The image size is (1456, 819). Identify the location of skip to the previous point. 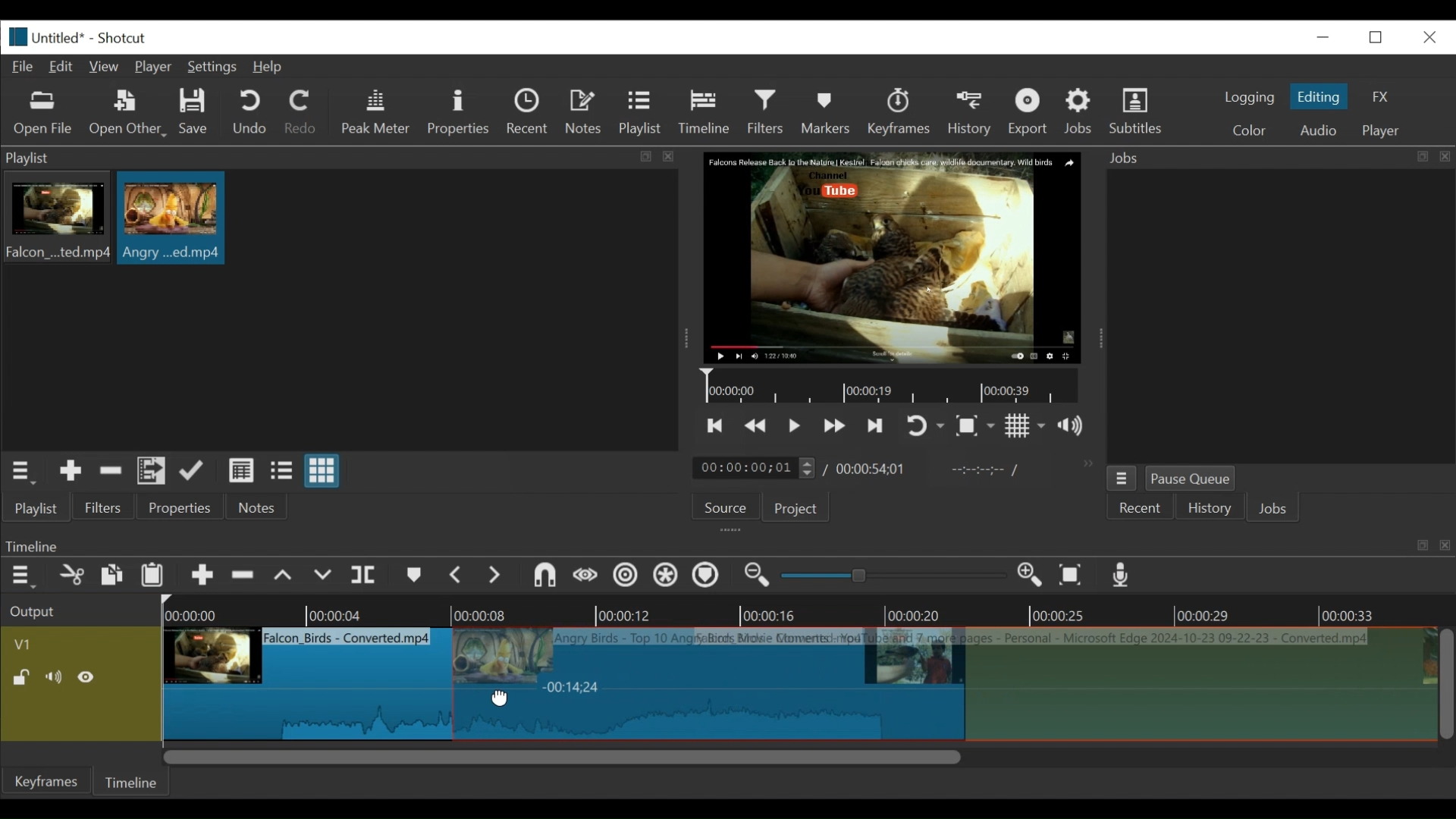
(715, 426).